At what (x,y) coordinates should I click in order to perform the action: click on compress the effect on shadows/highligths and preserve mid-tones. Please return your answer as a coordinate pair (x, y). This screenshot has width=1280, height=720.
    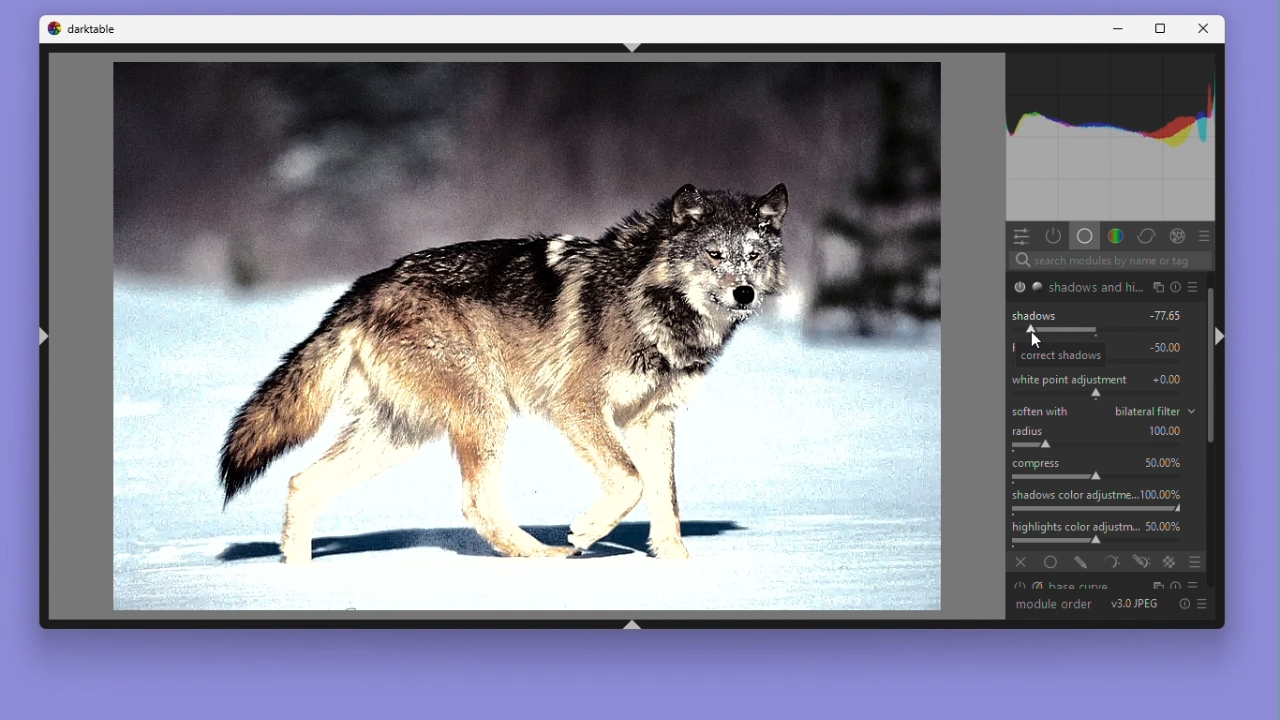
    Looking at the image, I should click on (1060, 478).